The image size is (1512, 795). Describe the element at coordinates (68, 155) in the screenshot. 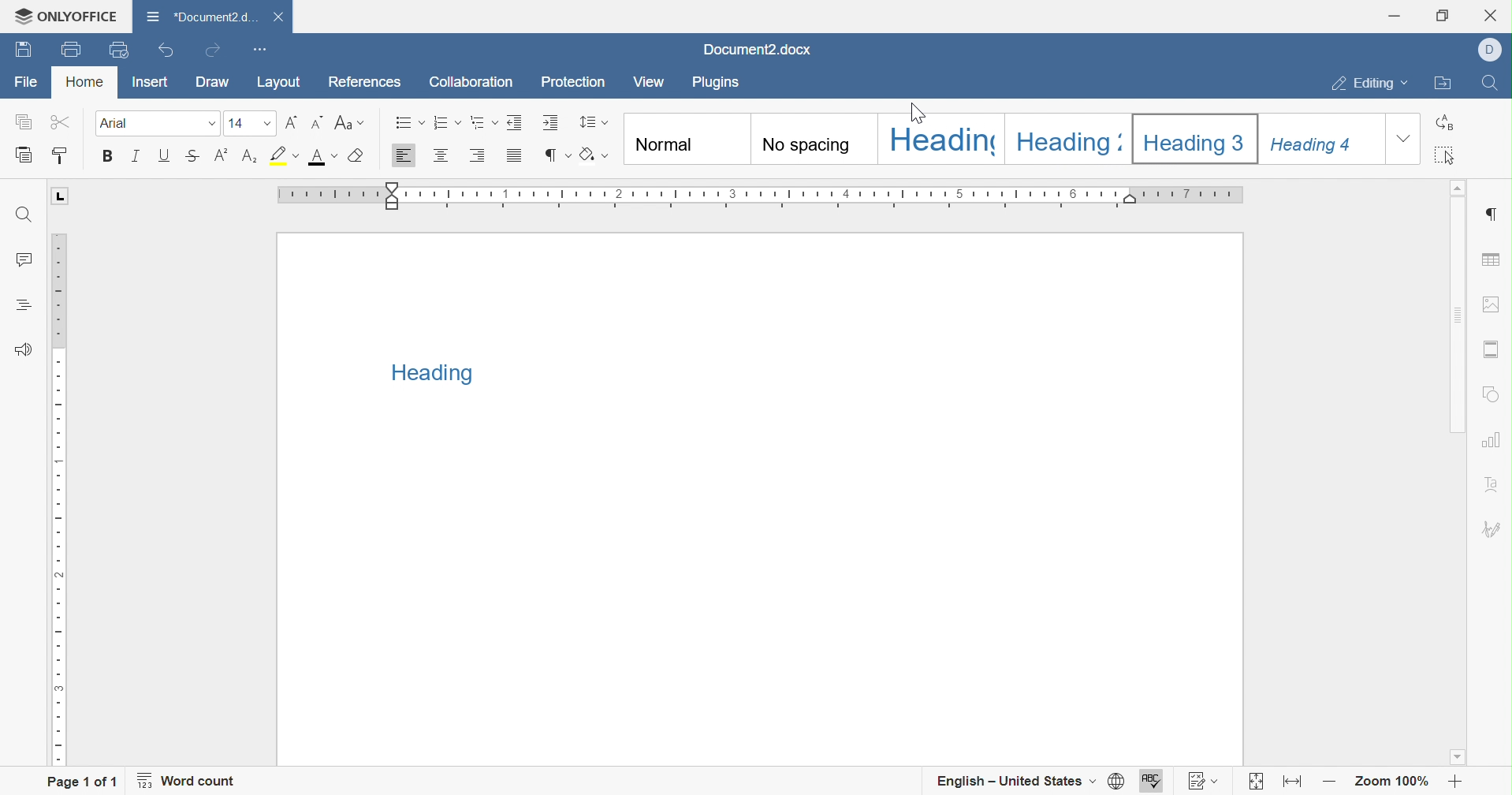

I see `Copy style` at that location.